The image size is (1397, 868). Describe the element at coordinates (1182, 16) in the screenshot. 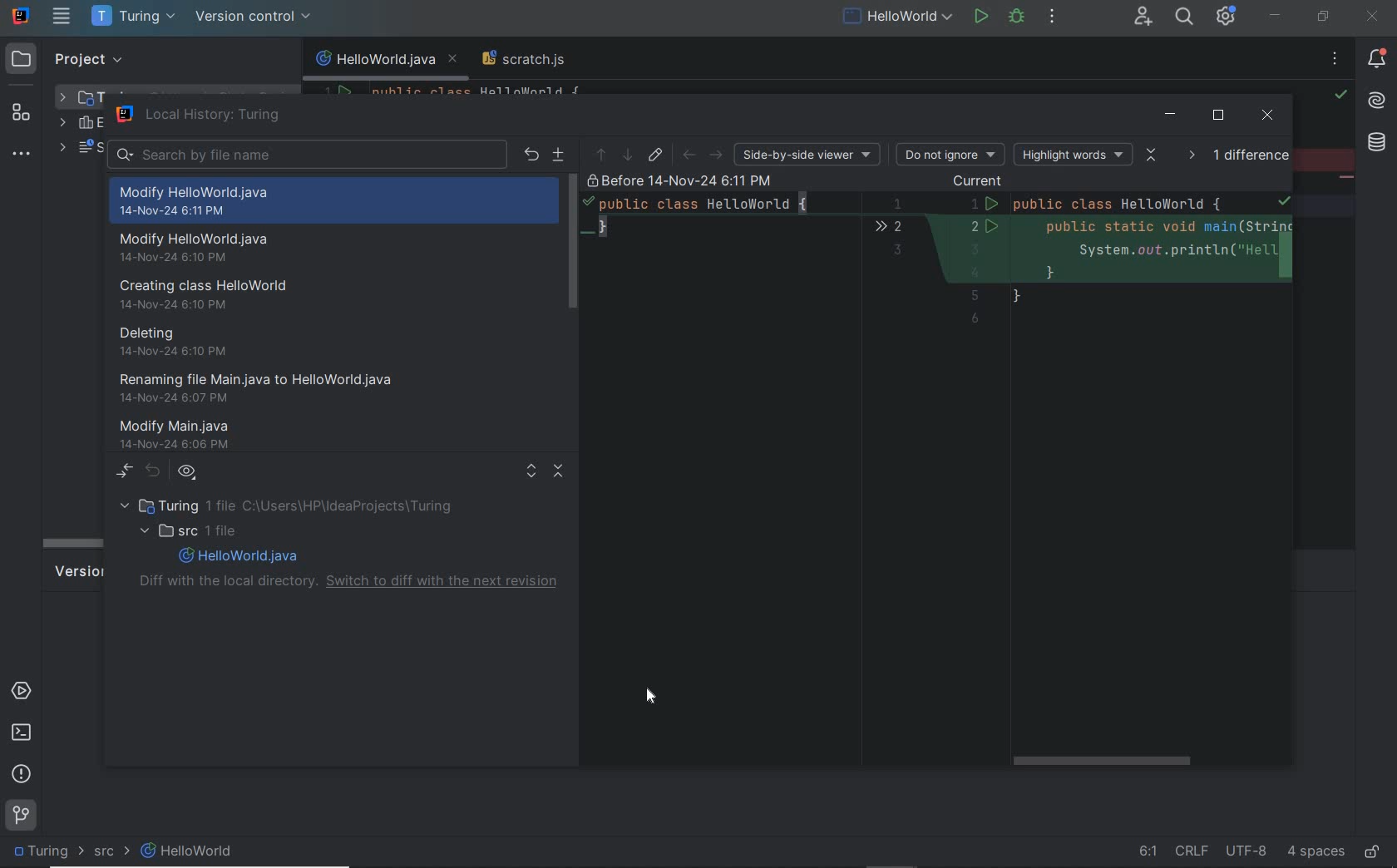

I see `search everywhere` at that location.